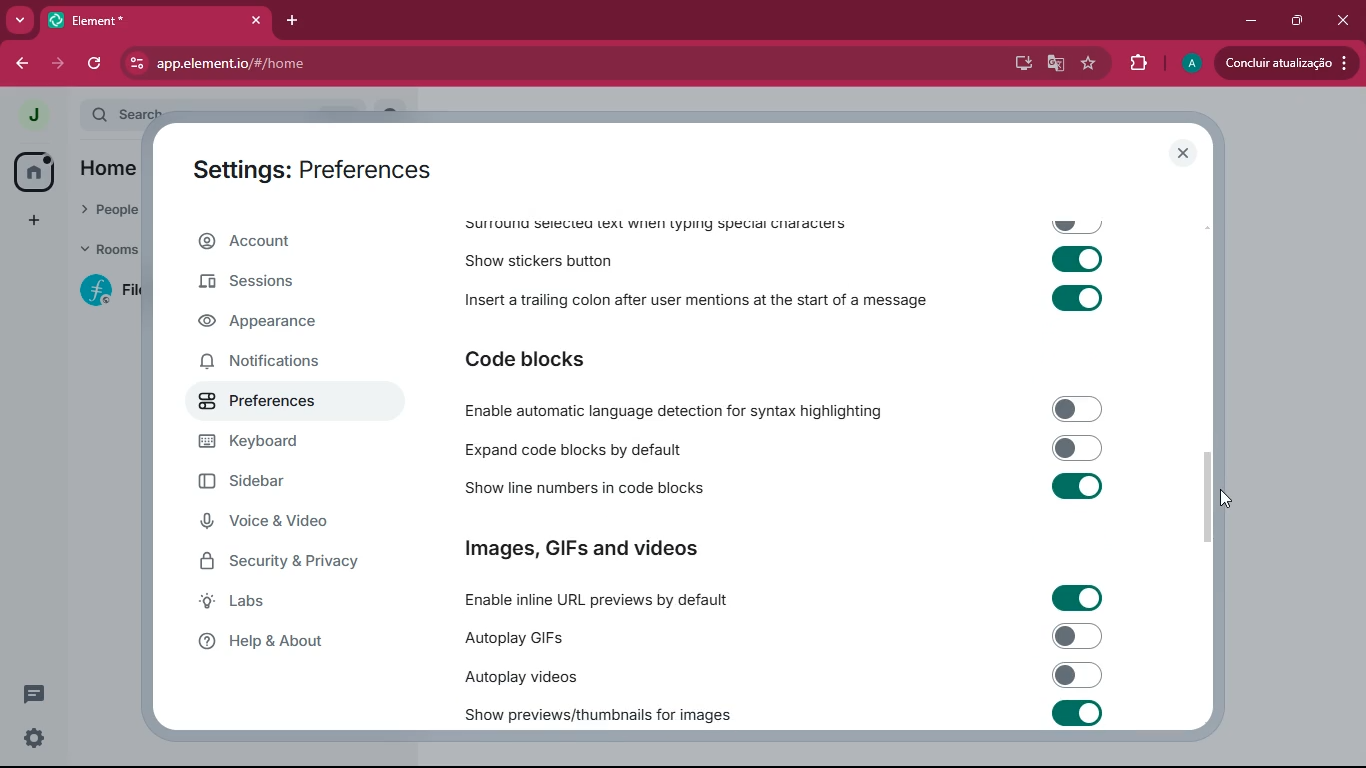 This screenshot has width=1366, height=768. I want to click on favourite , so click(1087, 65).